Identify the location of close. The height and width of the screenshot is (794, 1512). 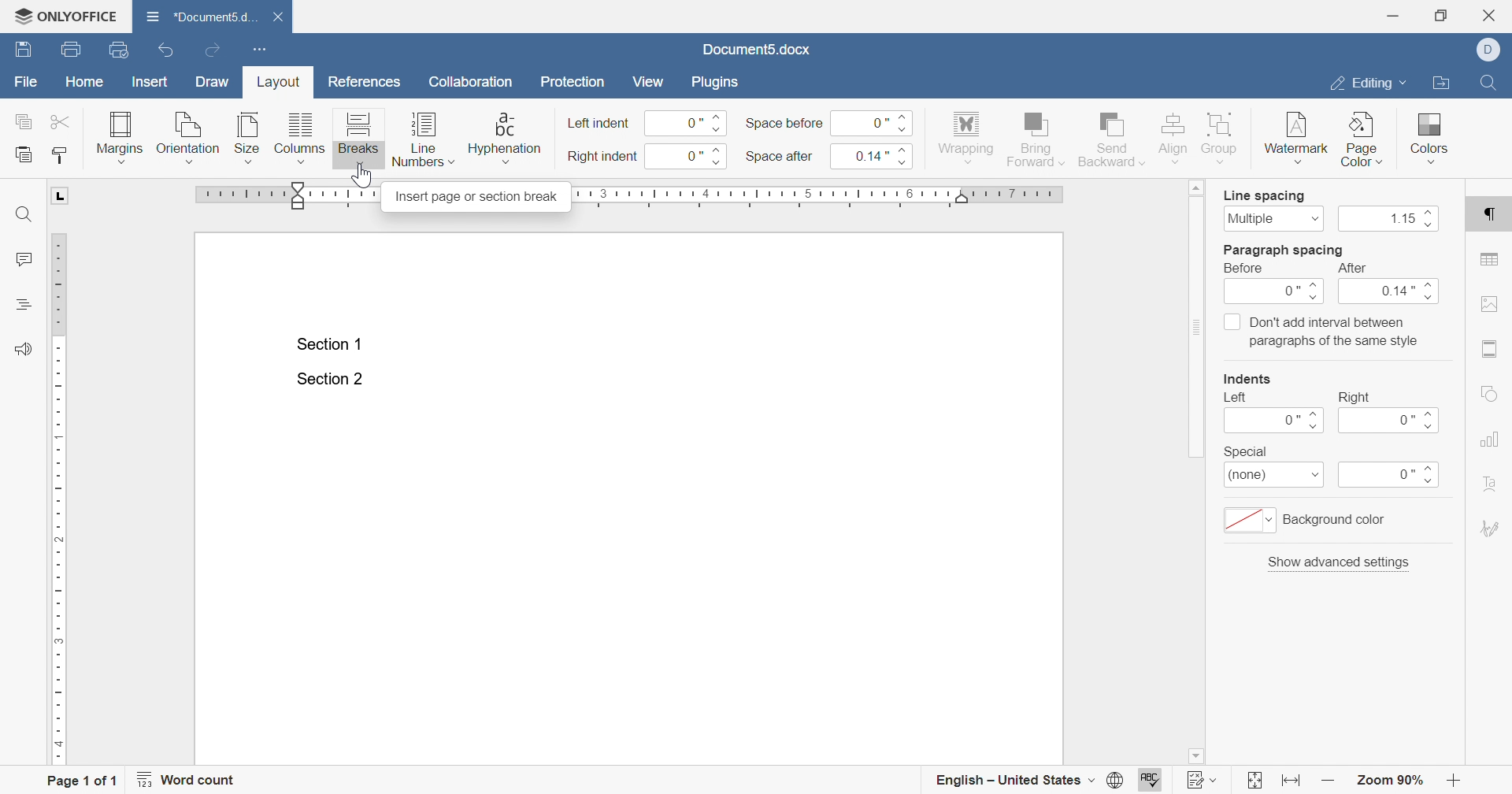
(1492, 15).